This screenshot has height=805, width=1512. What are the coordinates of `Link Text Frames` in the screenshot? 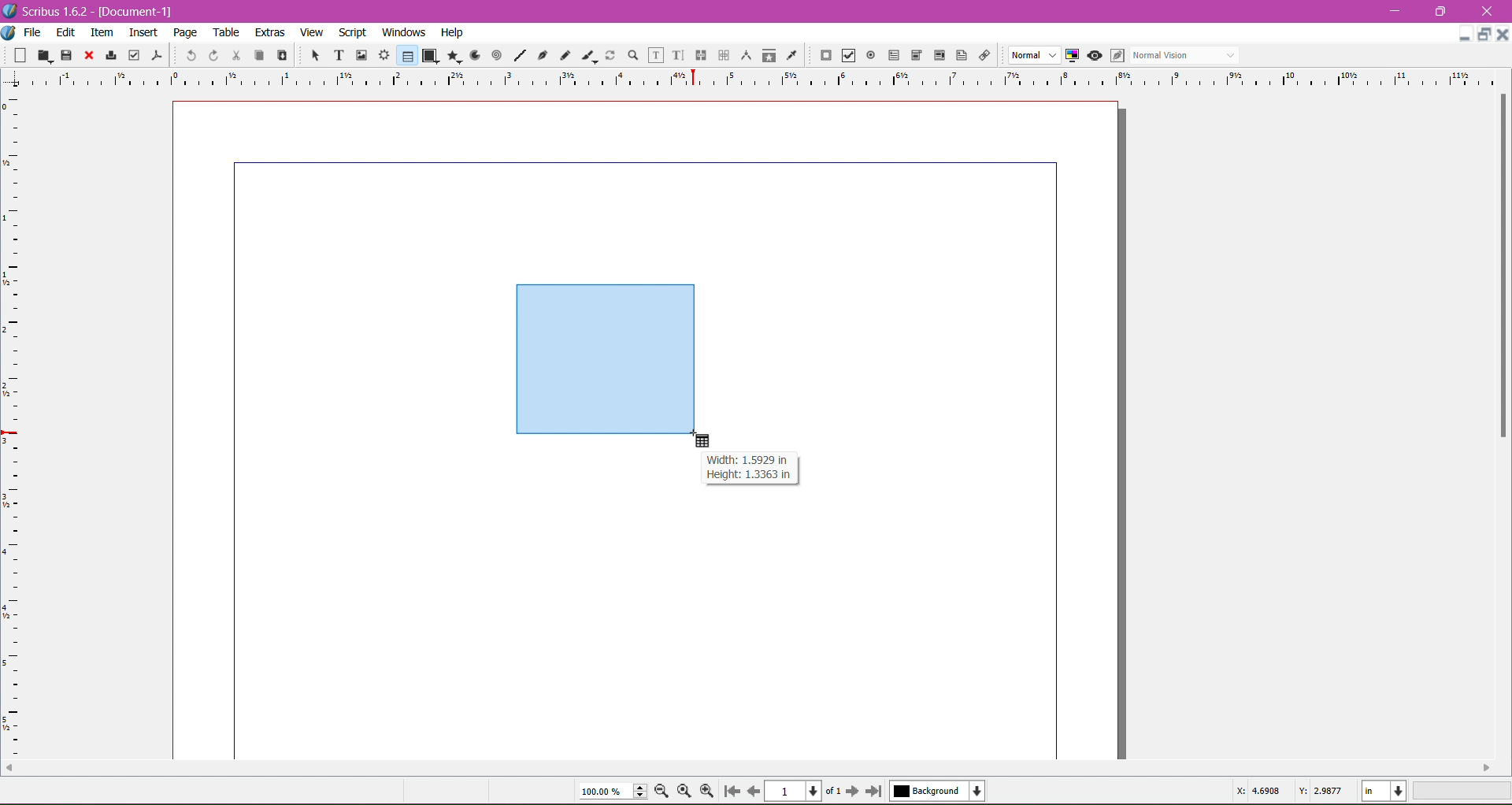 It's located at (699, 55).